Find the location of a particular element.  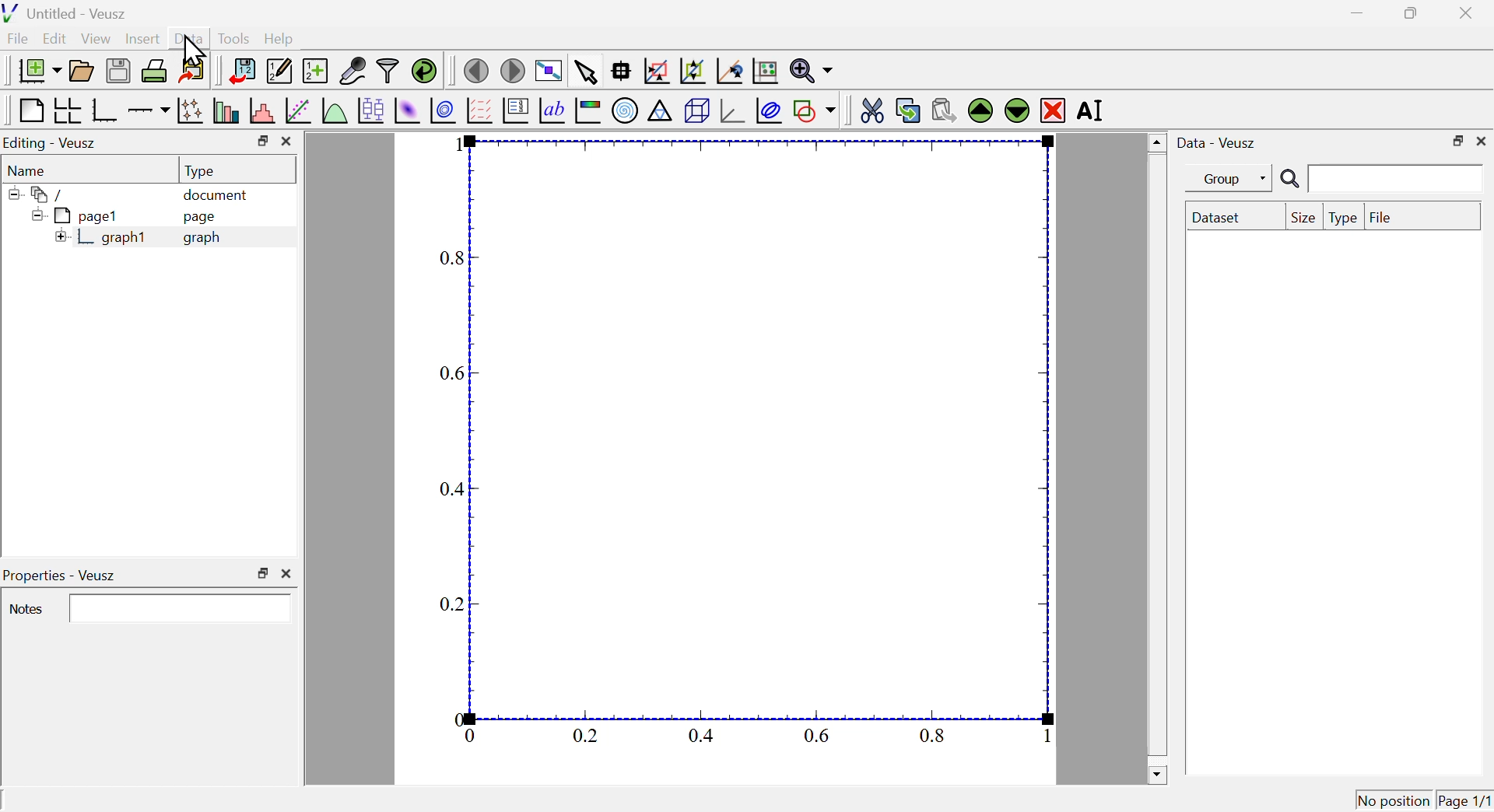

3d scene is located at coordinates (697, 112).